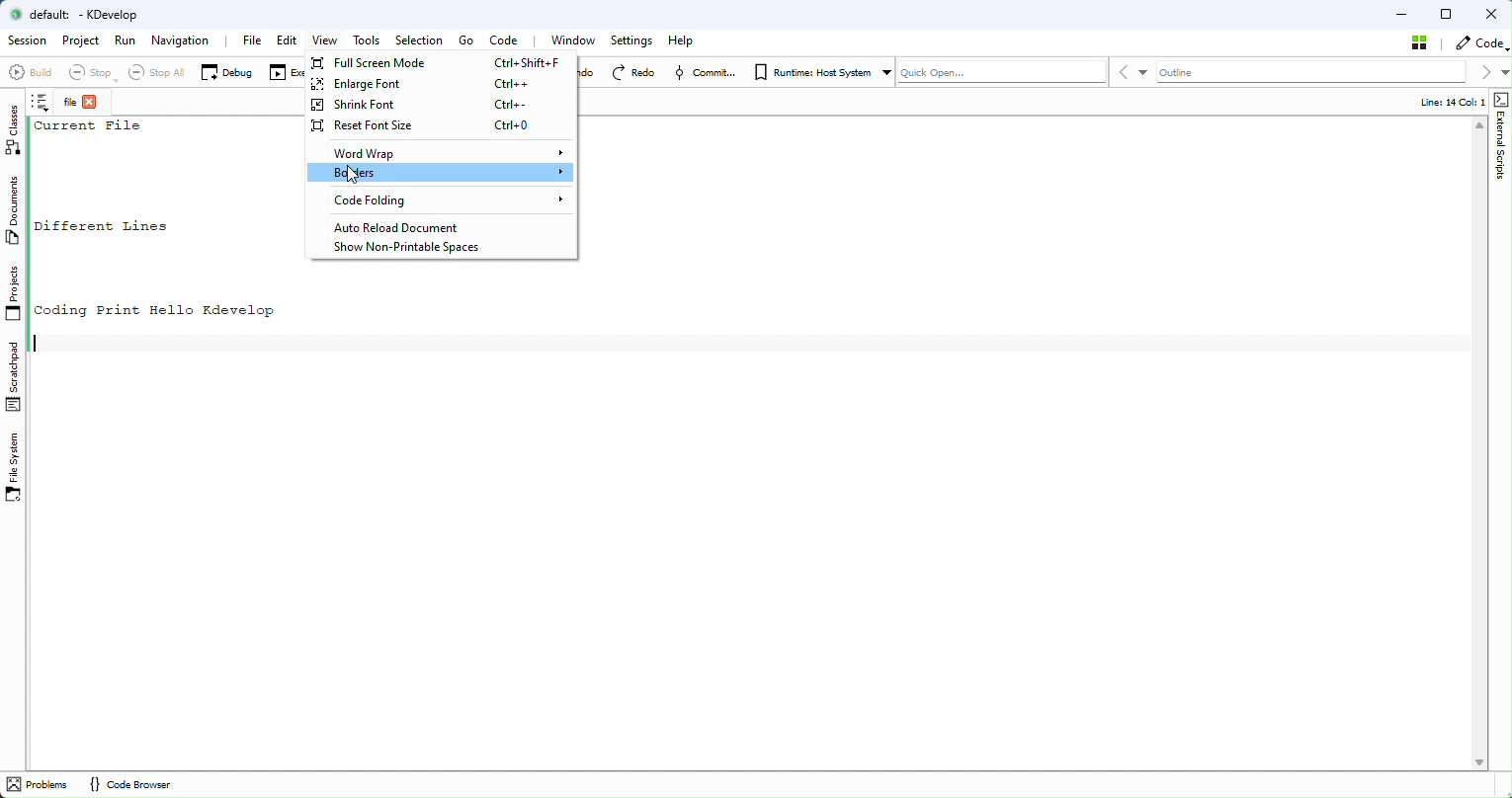 This screenshot has width=1512, height=798. What do you see at coordinates (683, 40) in the screenshot?
I see `Help` at bounding box center [683, 40].